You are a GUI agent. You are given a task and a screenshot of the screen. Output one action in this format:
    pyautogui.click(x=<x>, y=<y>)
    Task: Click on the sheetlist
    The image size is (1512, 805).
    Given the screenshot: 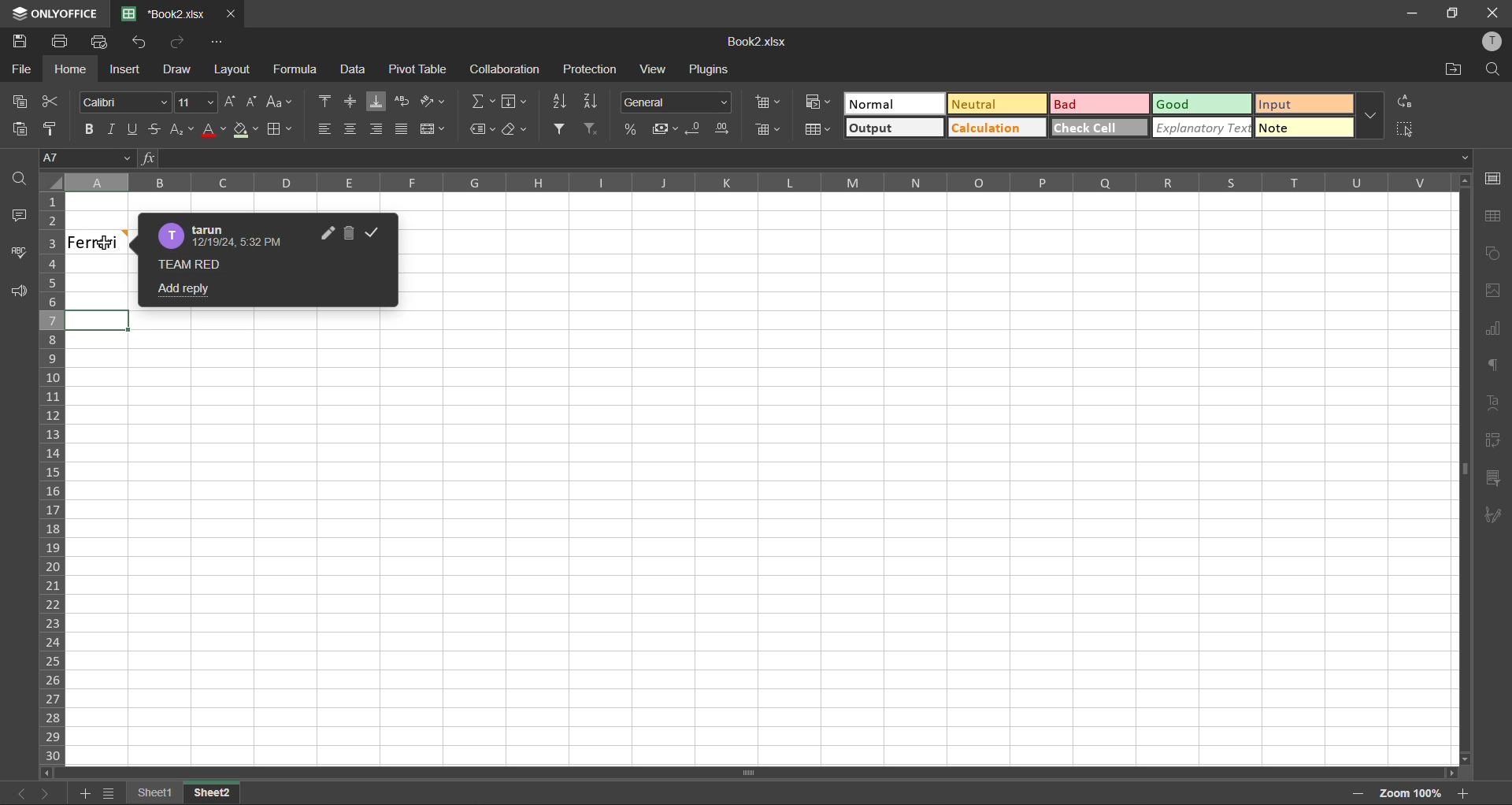 What is the action you would take?
    pyautogui.click(x=109, y=793)
    